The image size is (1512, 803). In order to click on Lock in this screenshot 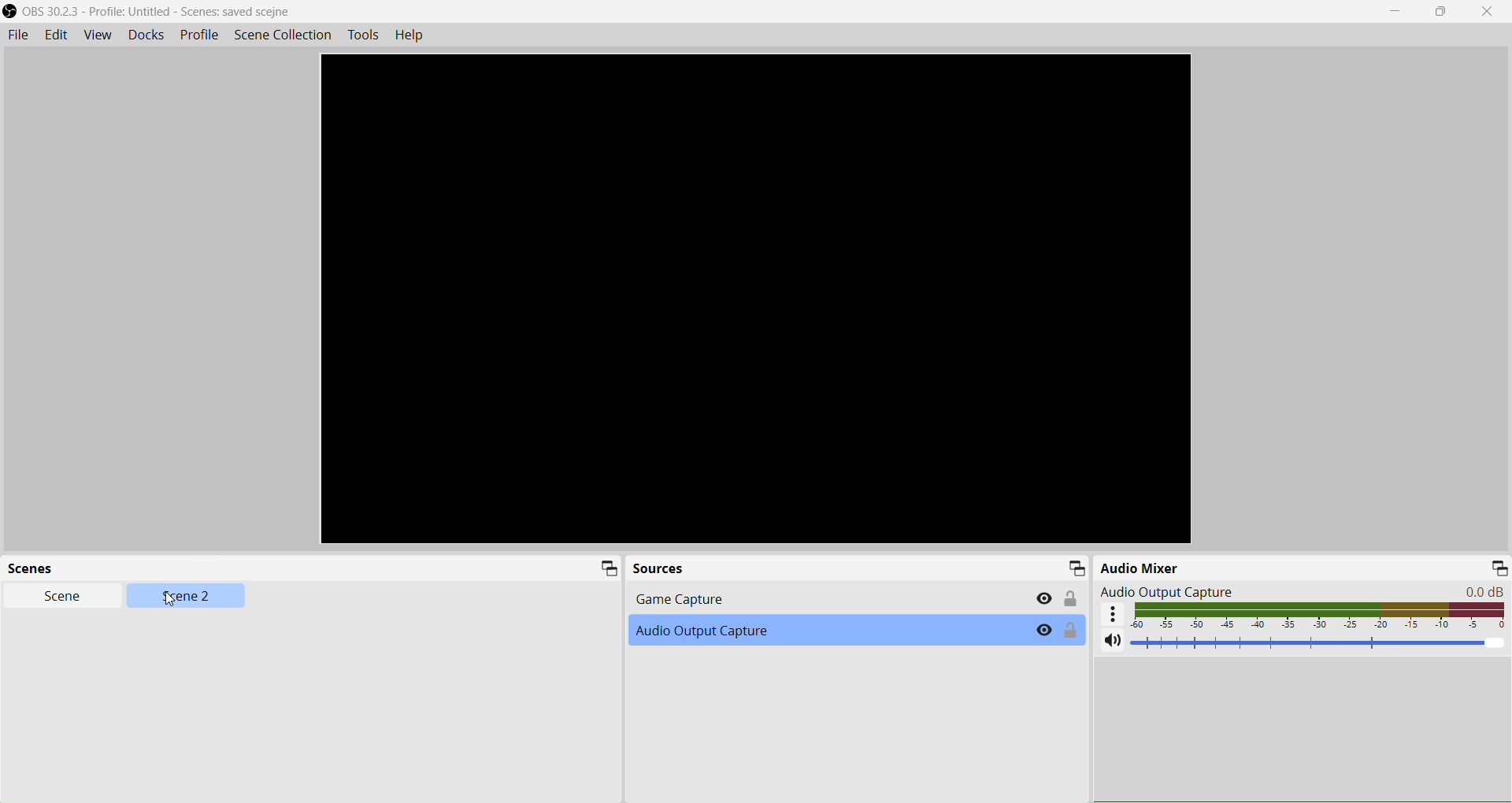, I will do `click(1071, 629)`.